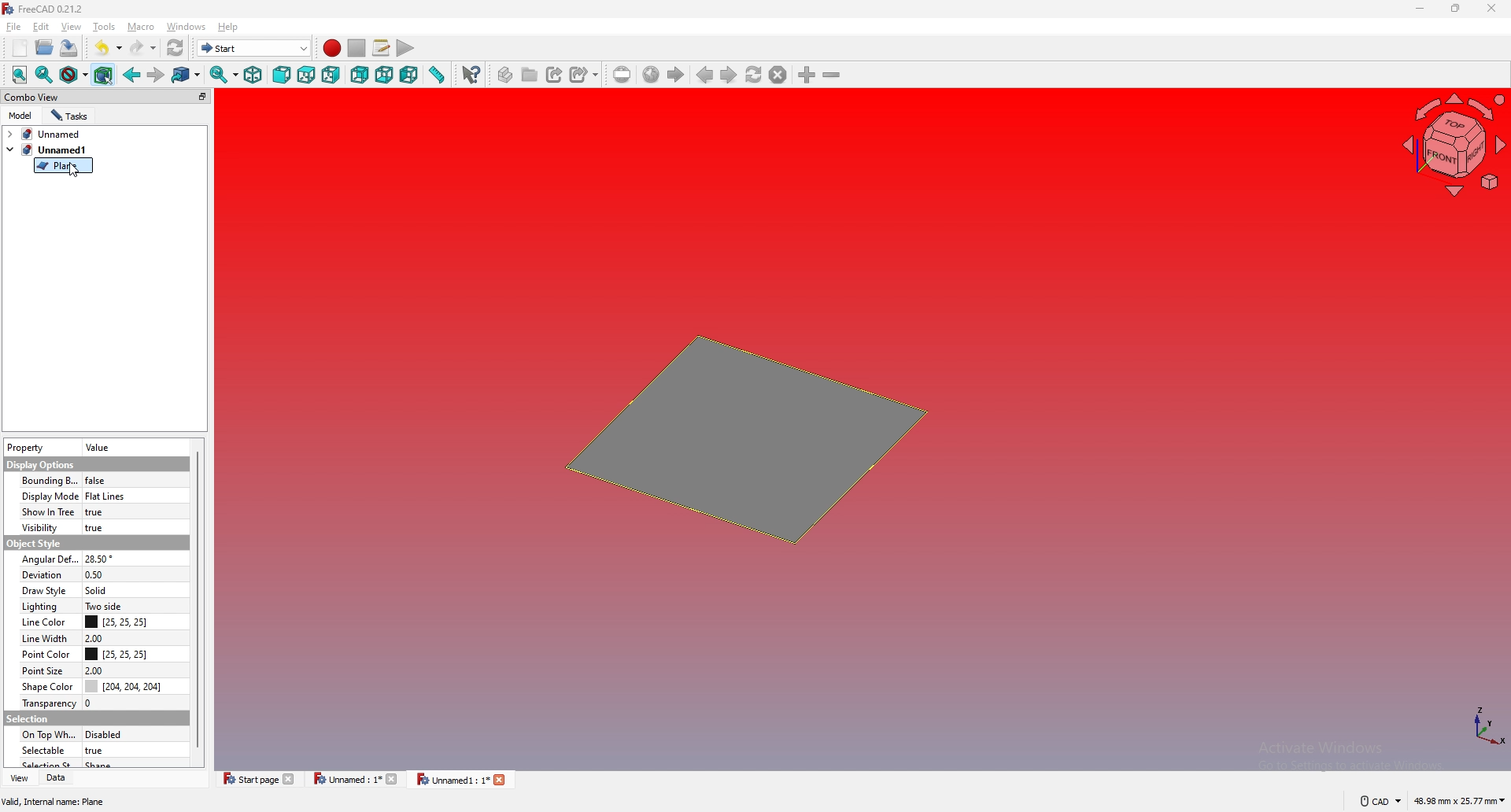  What do you see at coordinates (556, 75) in the screenshot?
I see `create link` at bounding box center [556, 75].